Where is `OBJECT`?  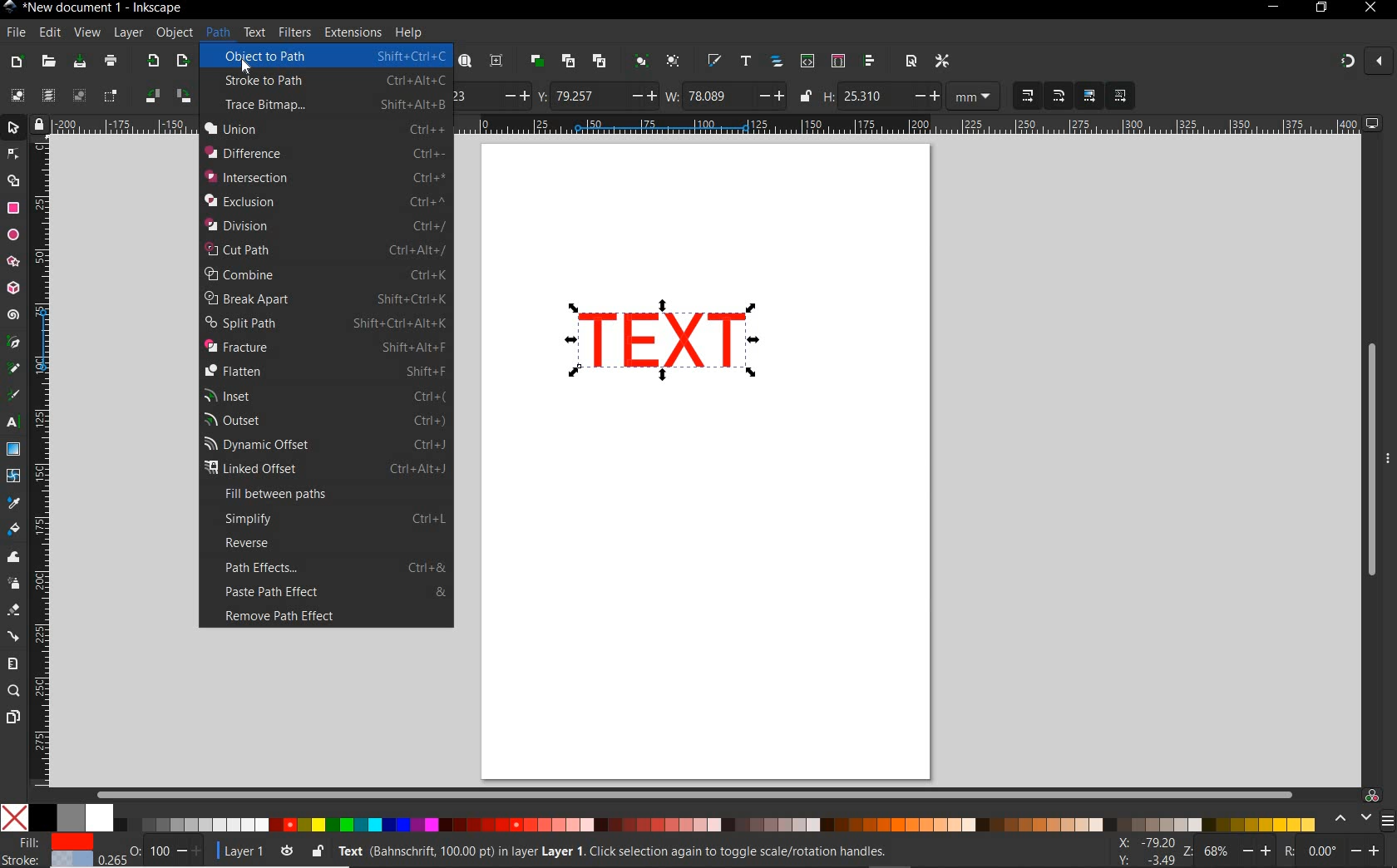 OBJECT is located at coordinates (175, 35).